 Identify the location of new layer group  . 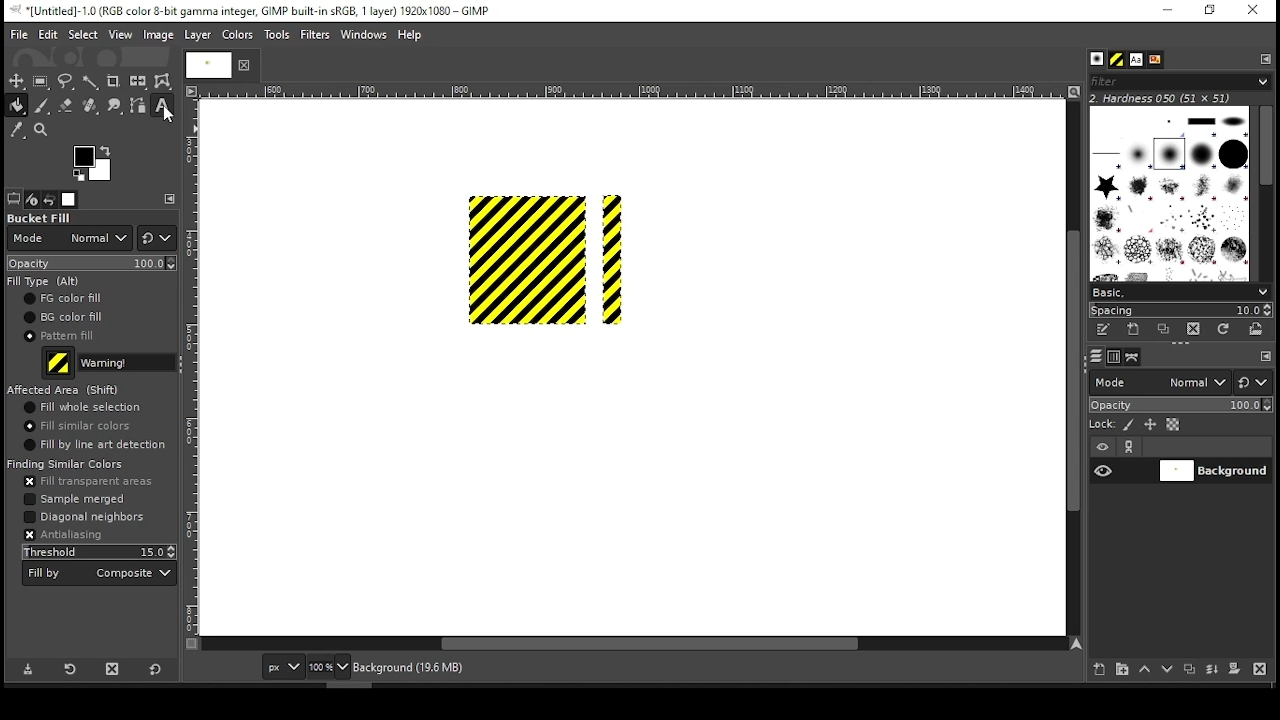
(1121, 669).